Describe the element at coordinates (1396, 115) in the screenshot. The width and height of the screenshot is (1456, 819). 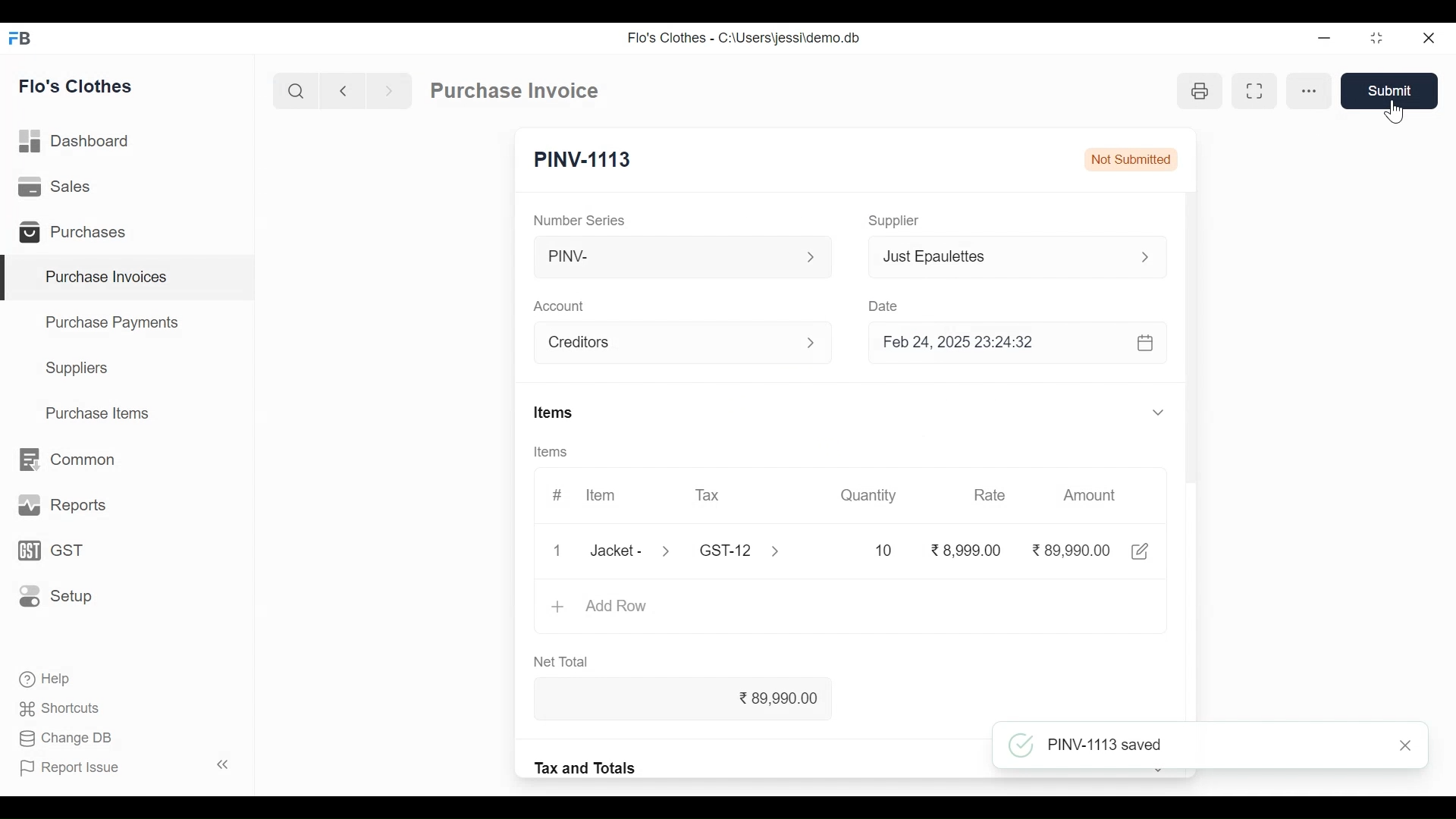
I see `Cursor` at that location.